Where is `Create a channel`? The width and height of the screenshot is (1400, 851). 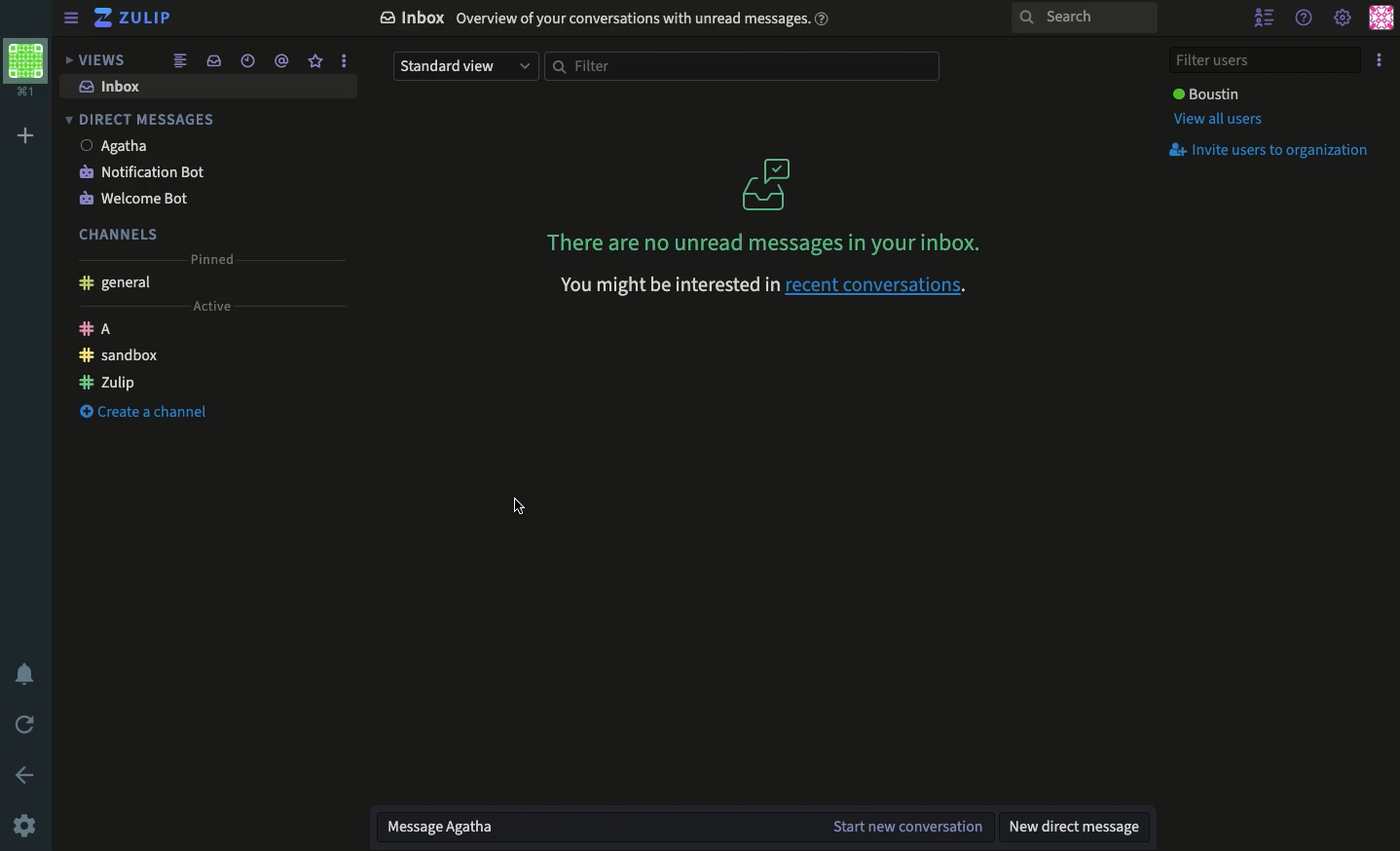 Create a channel is located at coordinates (147, 411).